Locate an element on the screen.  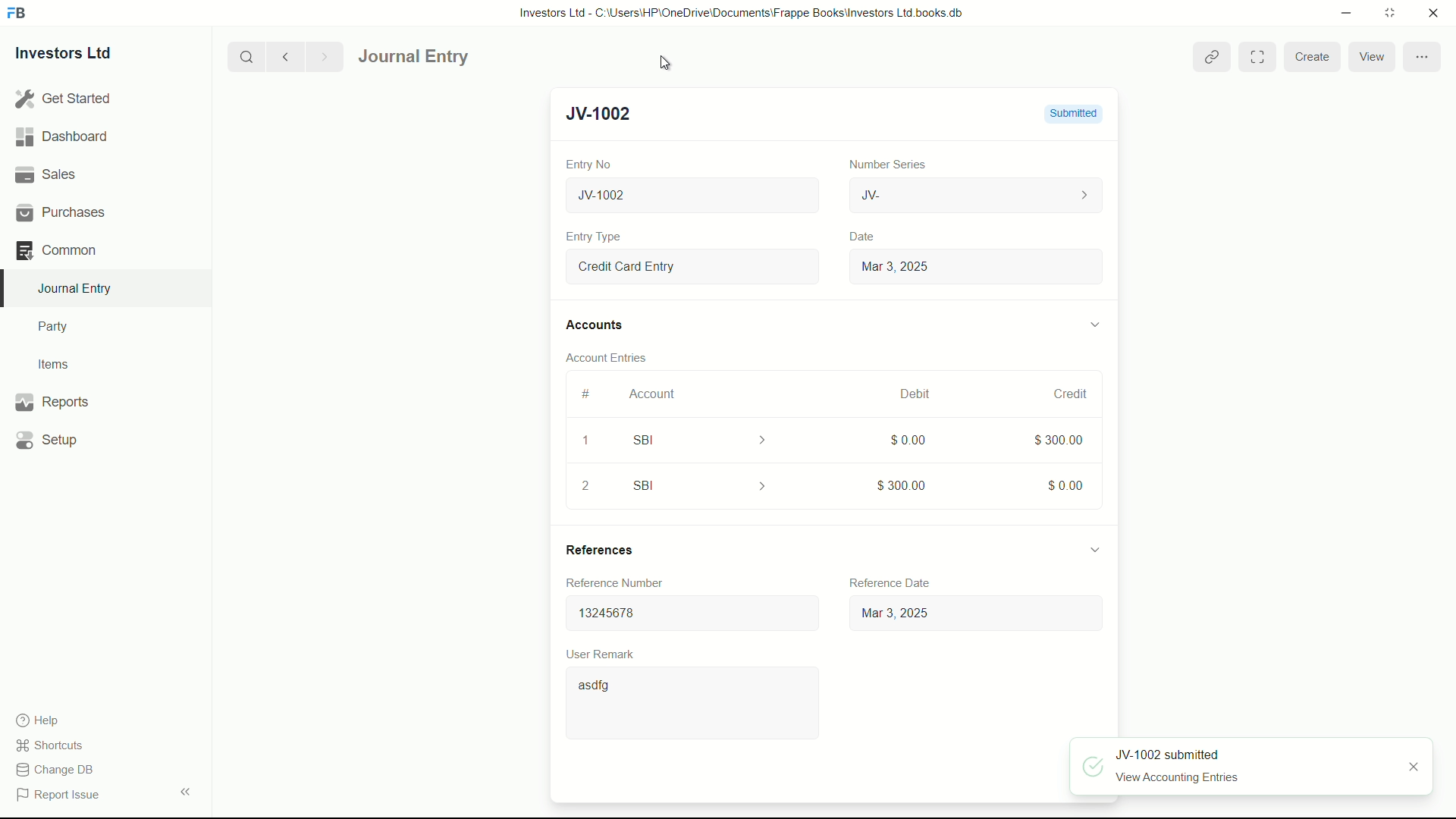
JV is located at coordinates (978, 193).